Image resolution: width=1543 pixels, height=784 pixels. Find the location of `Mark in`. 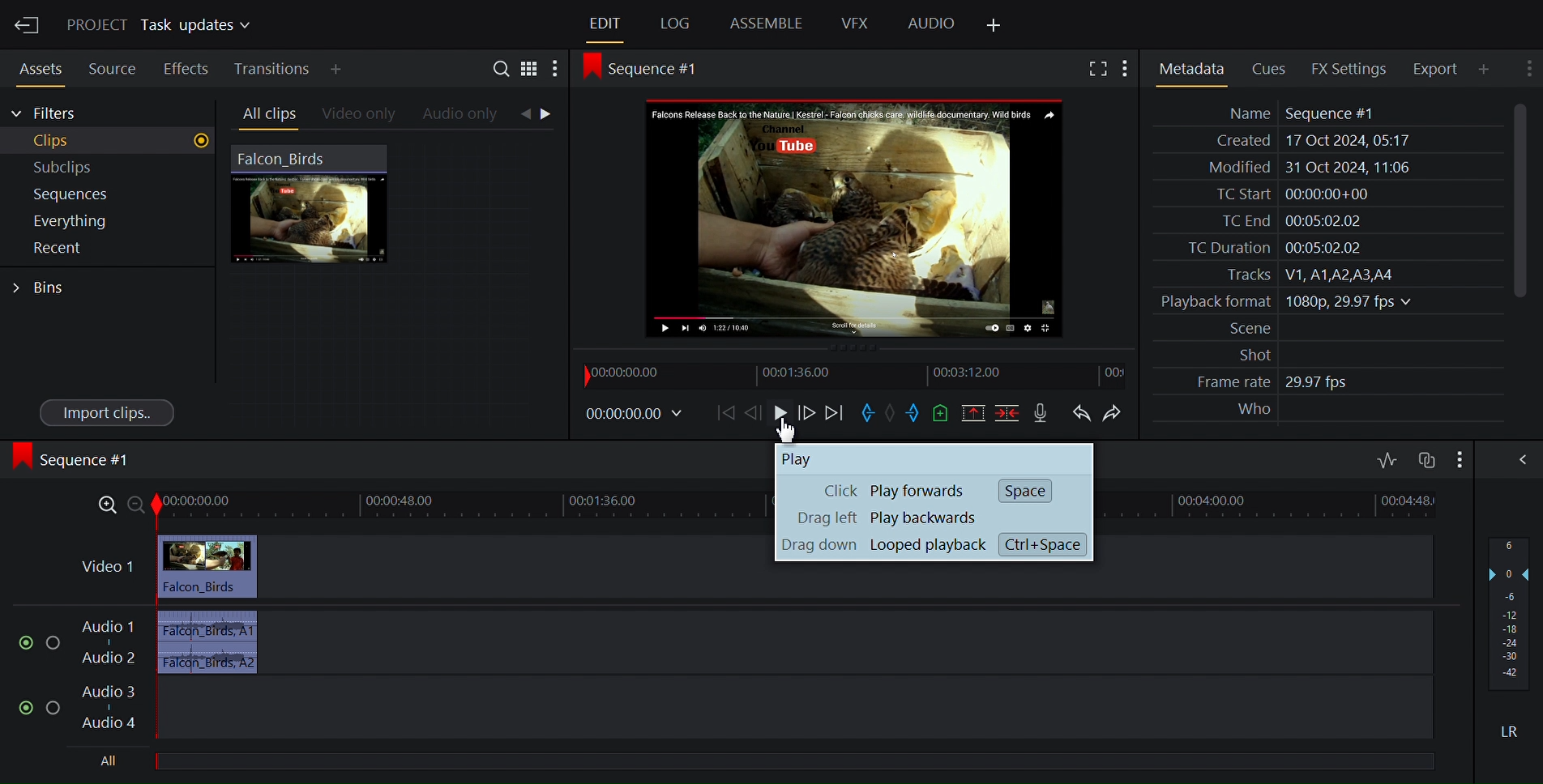

Mark in is located at coordinates (866, 413).